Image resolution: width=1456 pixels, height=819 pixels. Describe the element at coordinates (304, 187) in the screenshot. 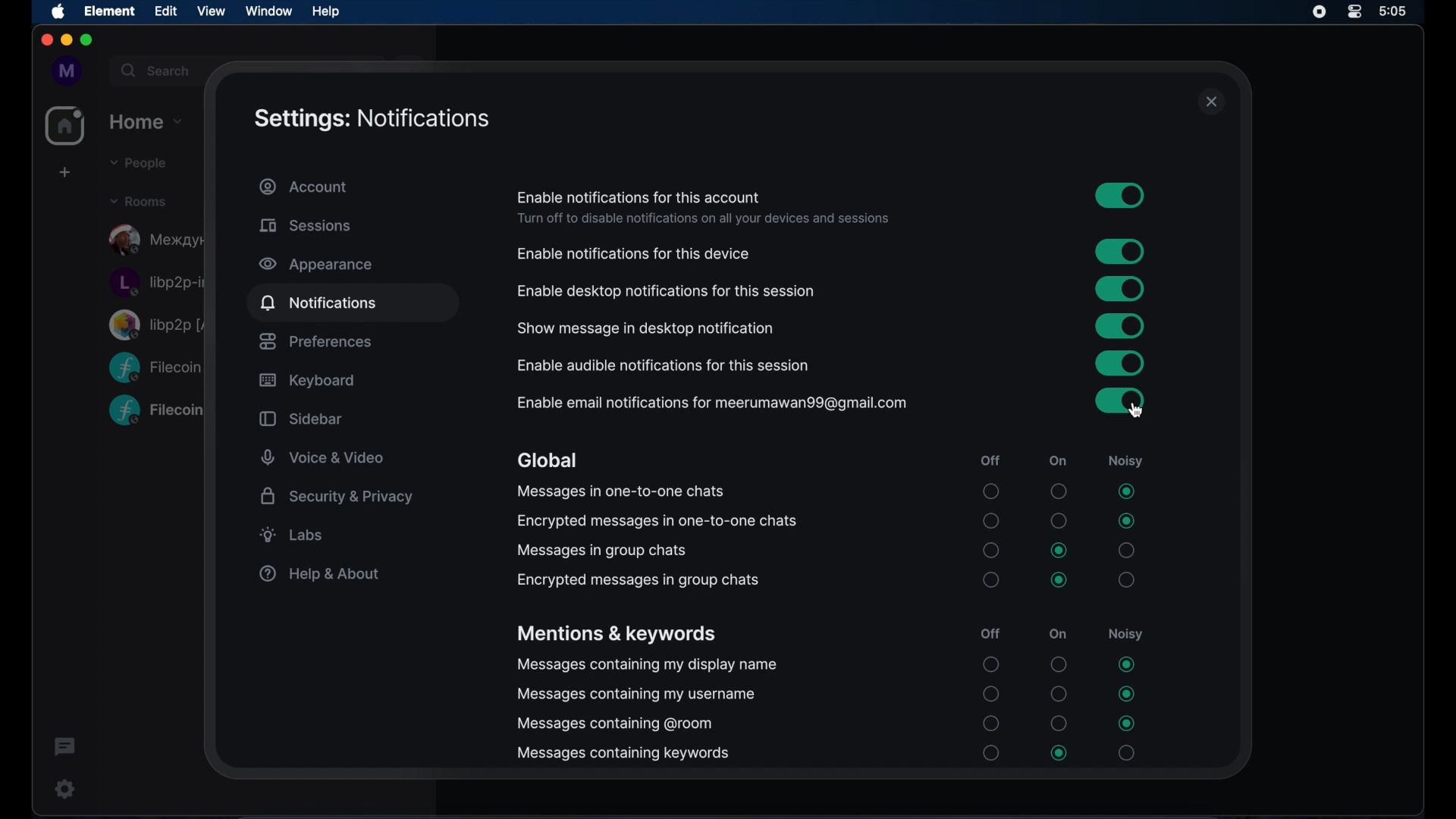

I see `account` at that location.